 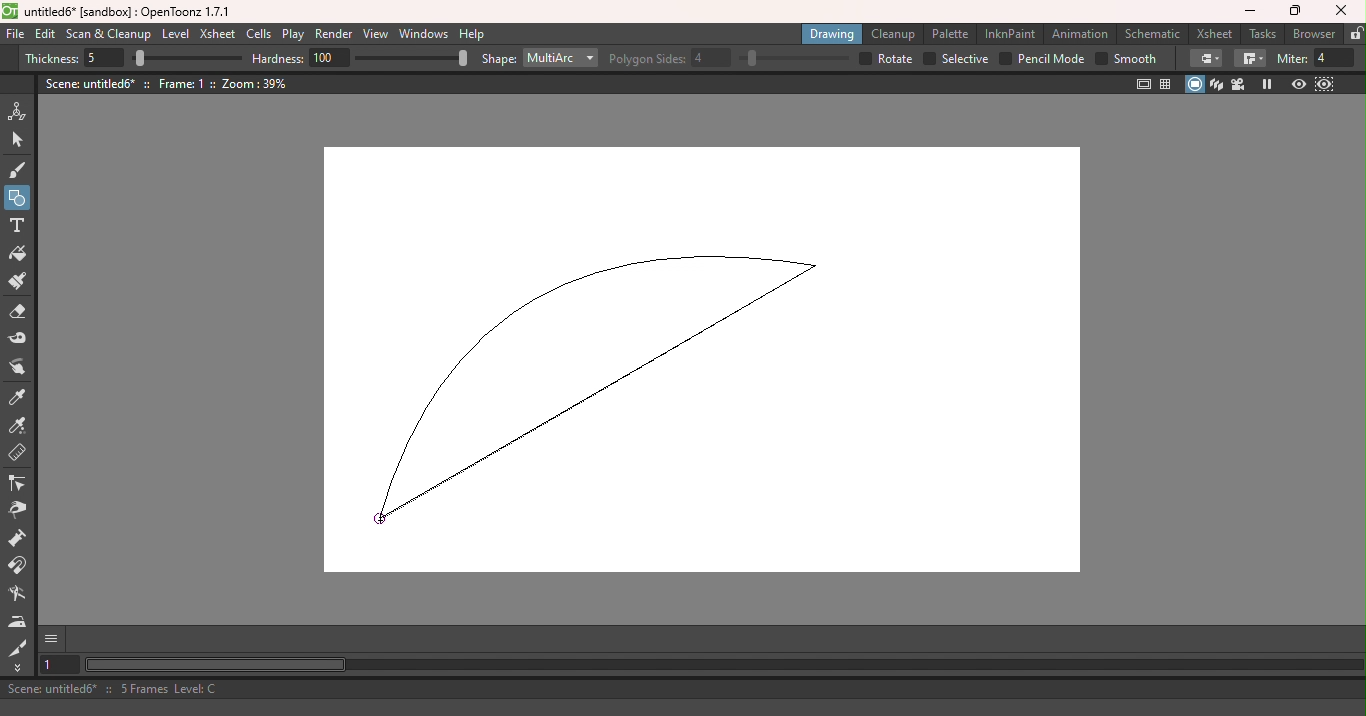 I want to click on Lock rooms tab, so click(x=1355, y=33).